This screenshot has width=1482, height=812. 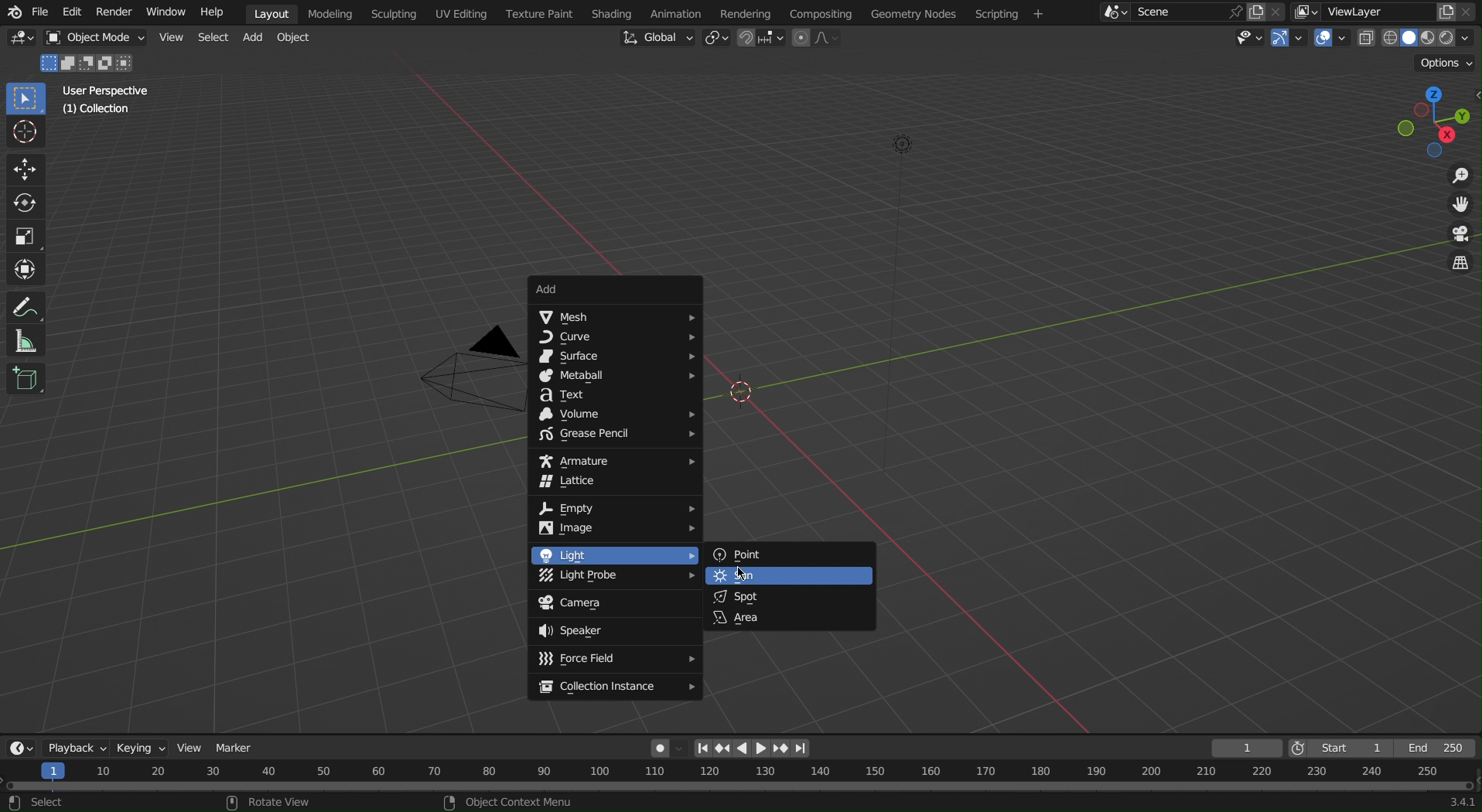 What do you see at coordinates (77, 746) in the screenshot?
I see `Playback` at bounding box center [77, 746].